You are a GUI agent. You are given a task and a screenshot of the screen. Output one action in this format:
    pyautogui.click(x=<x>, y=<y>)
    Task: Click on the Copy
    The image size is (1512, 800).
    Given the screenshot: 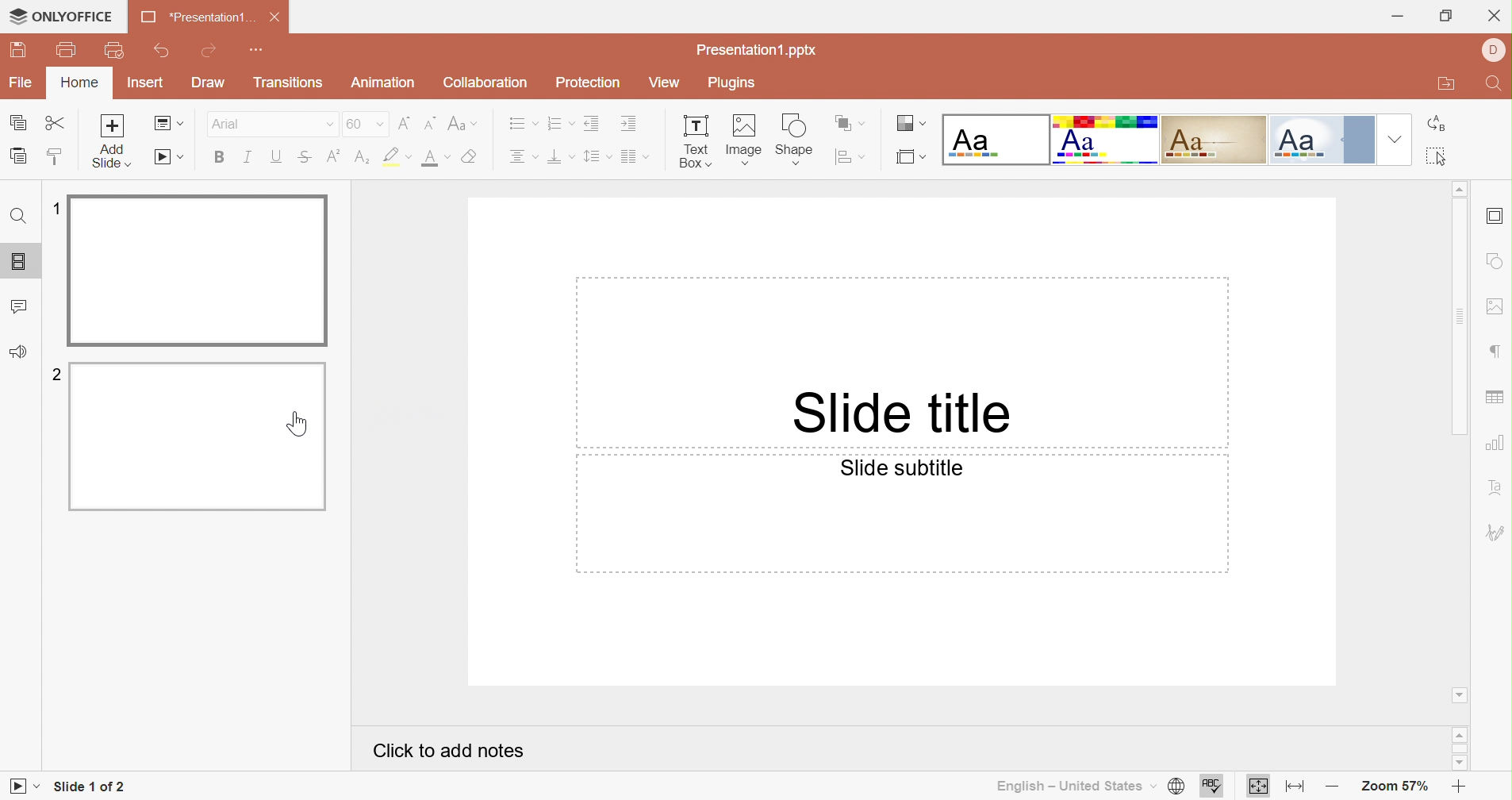 What is the action you would take?
    pyautogui.click(x=17, y=121)
    